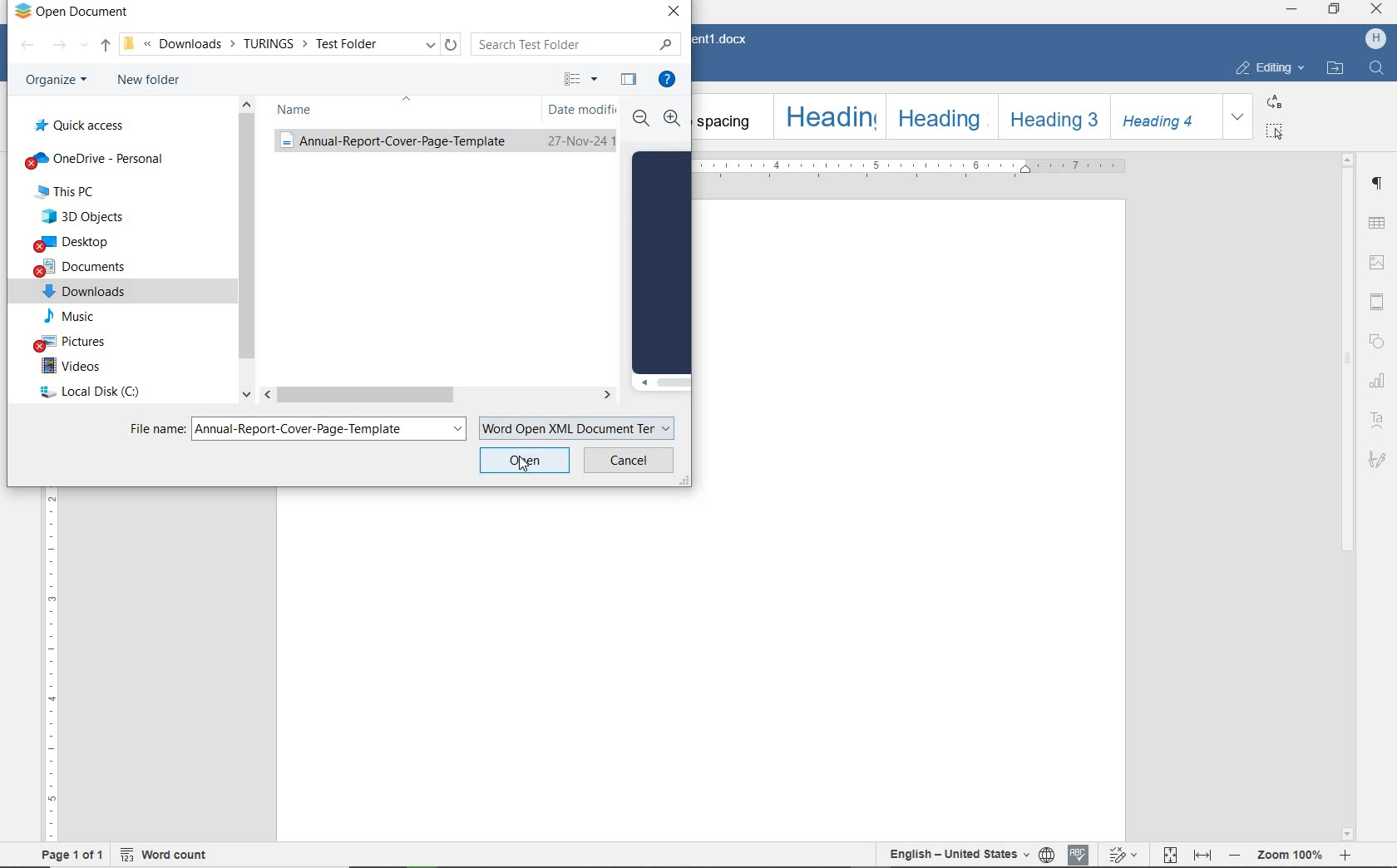 This screenshot has width=1397, height=868. Describe the element at coordinates (331, 430) in the screenshot. I see `FILE NAME ADDED TO INPUT FIELD` at that location.